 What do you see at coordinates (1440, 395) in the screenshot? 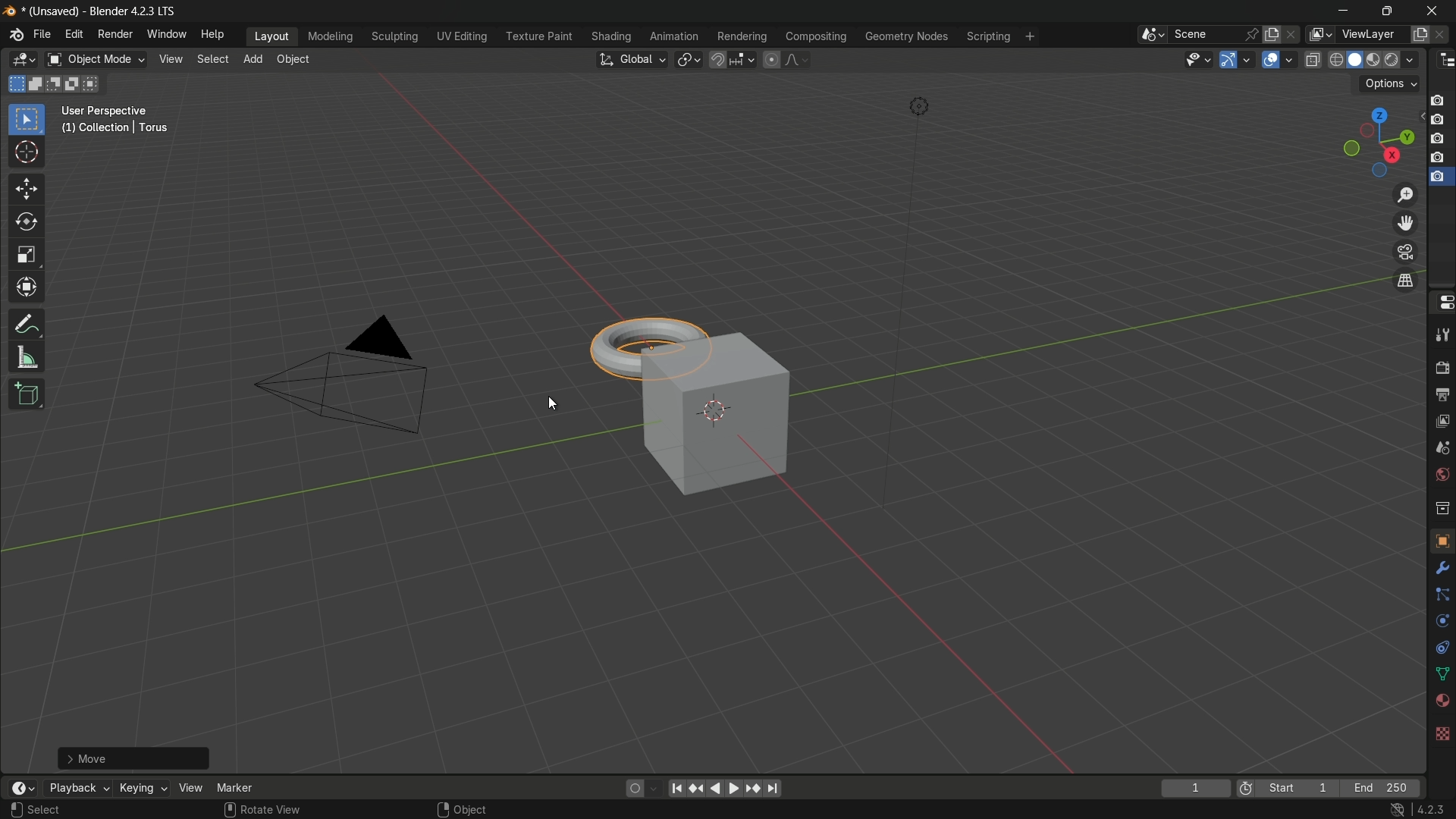
I see `output` at bounding box center [1440, 395].